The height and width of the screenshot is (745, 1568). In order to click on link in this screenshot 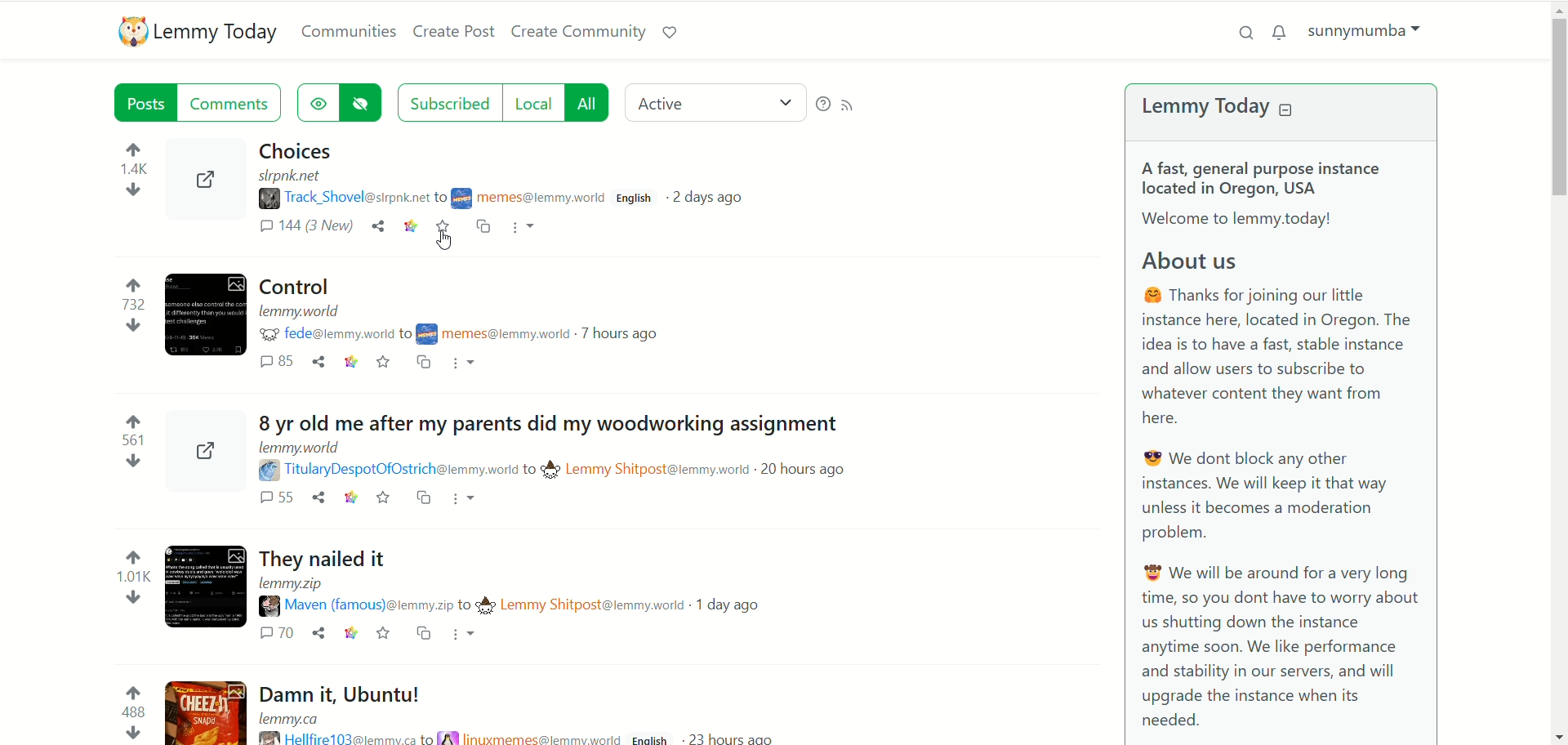, I will do `click(348, 635)`.